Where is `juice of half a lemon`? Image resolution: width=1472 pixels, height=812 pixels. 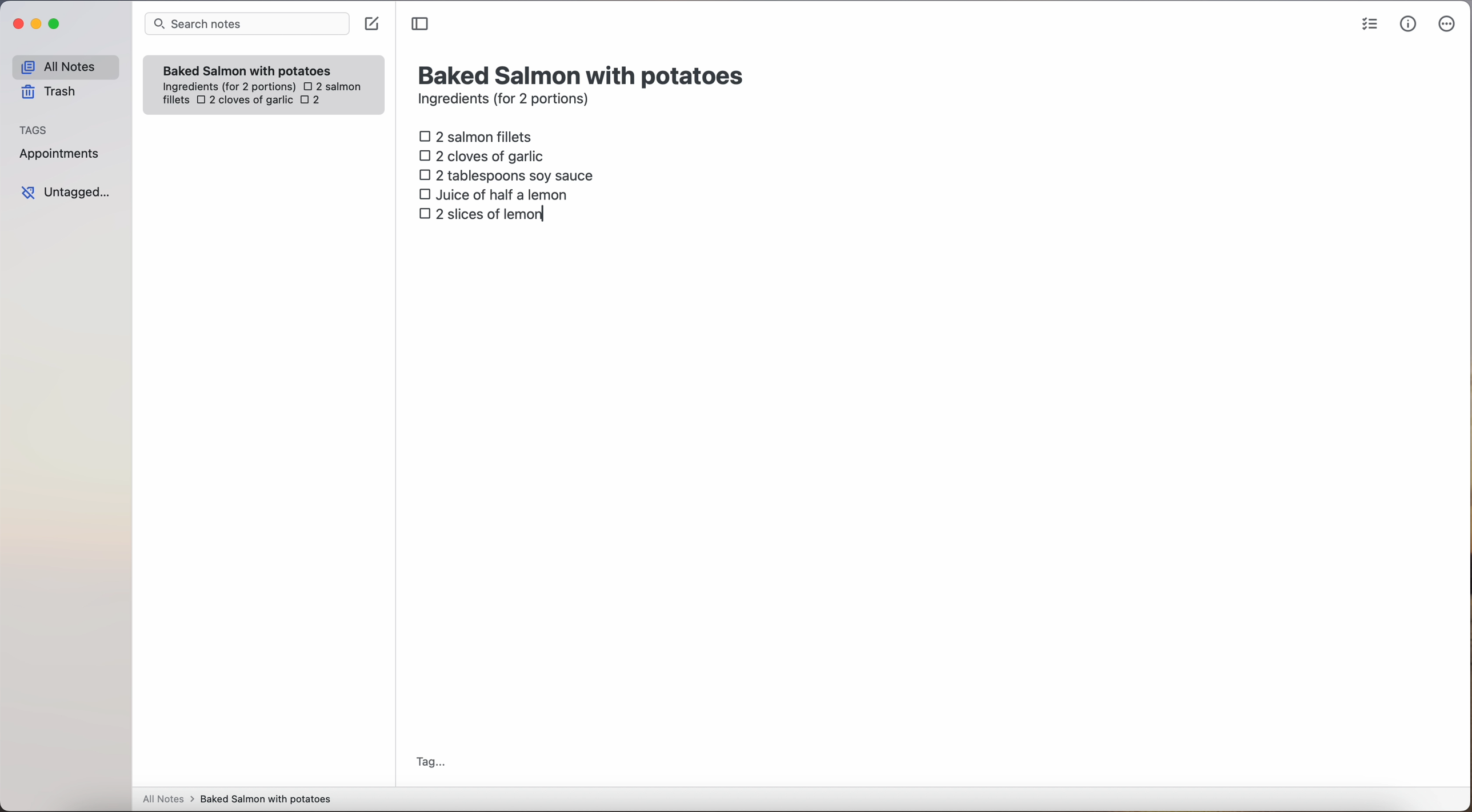 juice of half a lemon is located at coordinates (496, 194).